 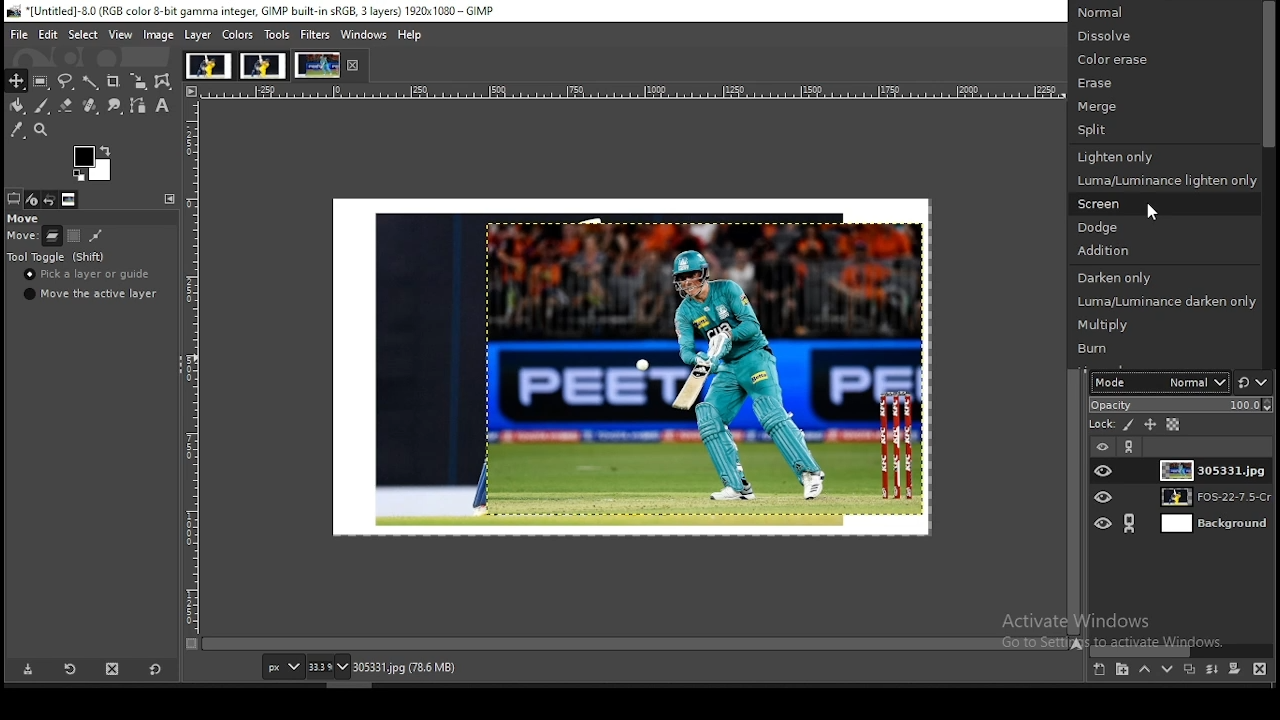 I want to click on color picker tool, so click(x=16, y=129).